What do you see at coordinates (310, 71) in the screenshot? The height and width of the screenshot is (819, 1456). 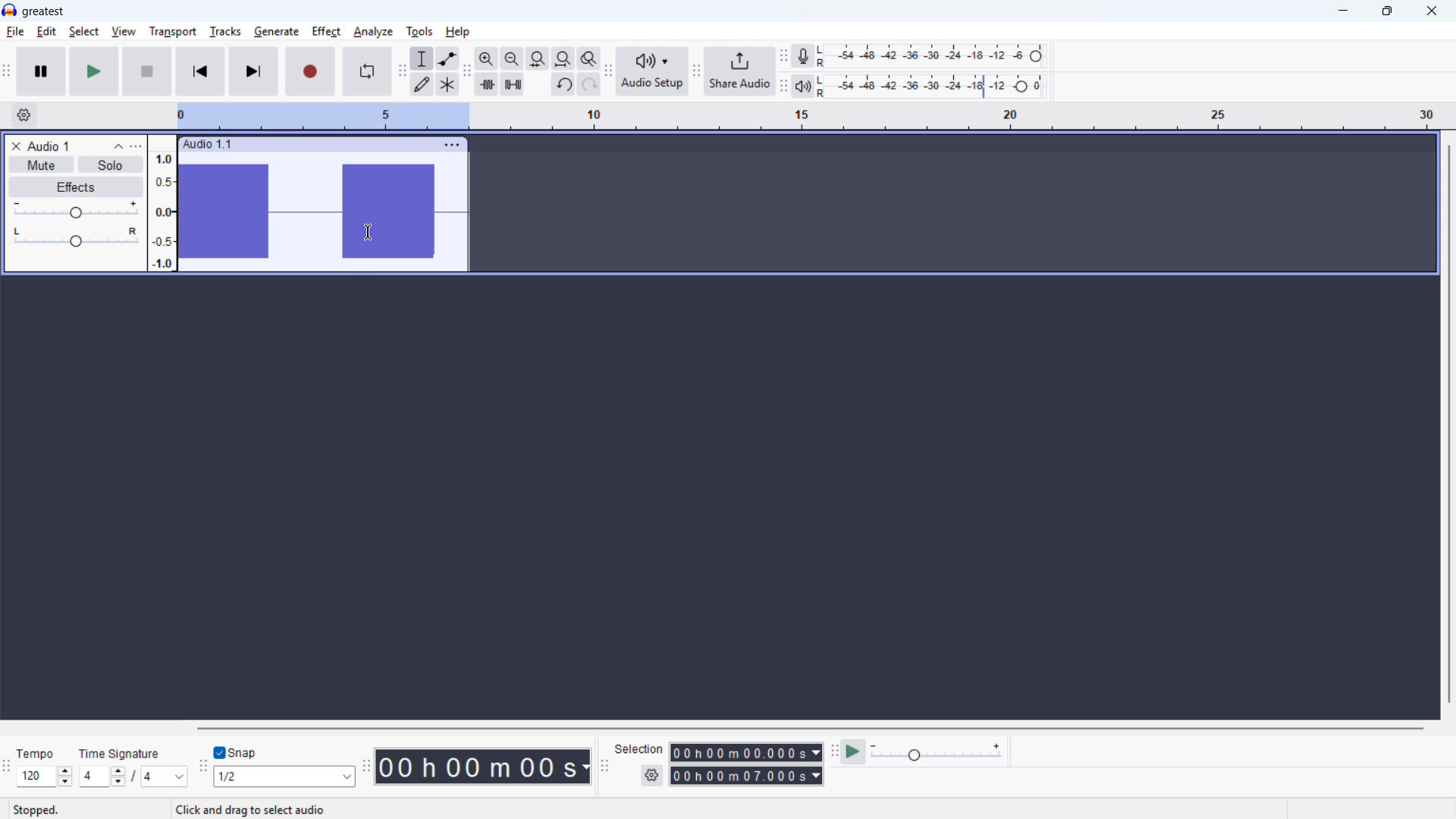 I see `Record ` at bounding box center [310, 71].